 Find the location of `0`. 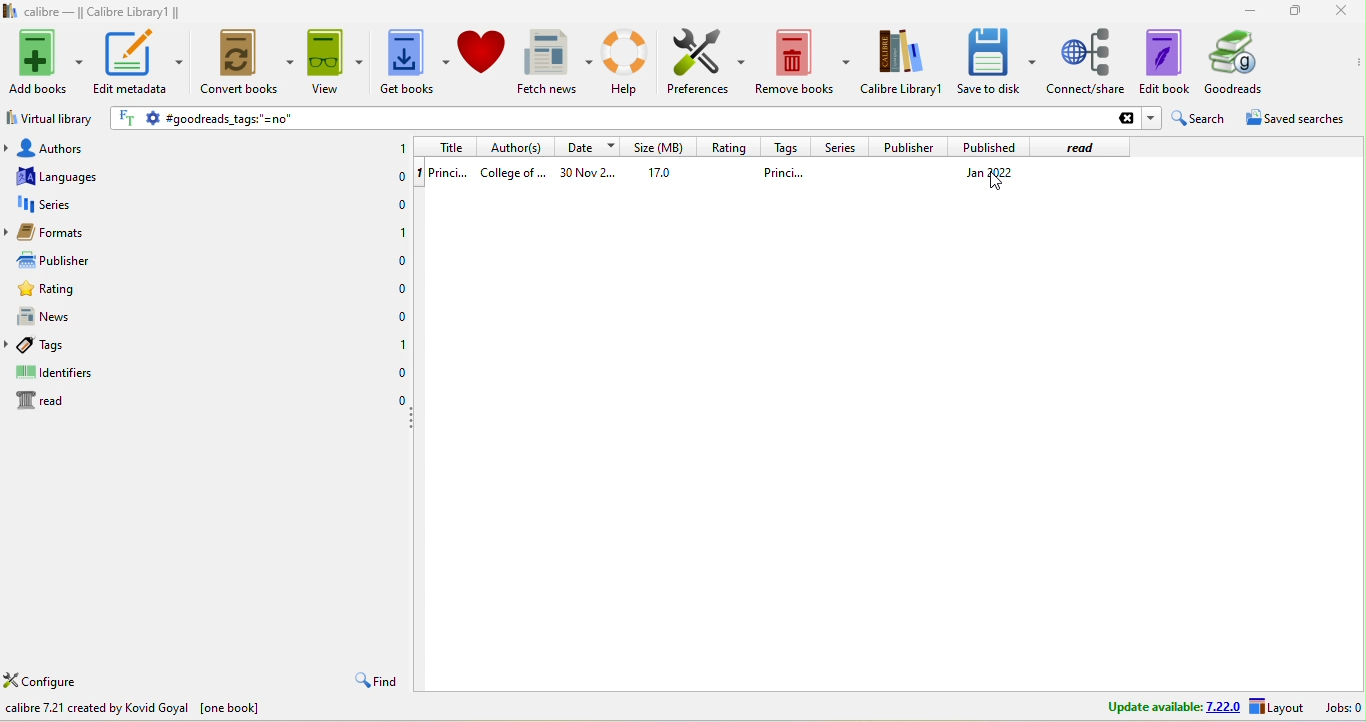

0 is located at coordinates (401, 262).